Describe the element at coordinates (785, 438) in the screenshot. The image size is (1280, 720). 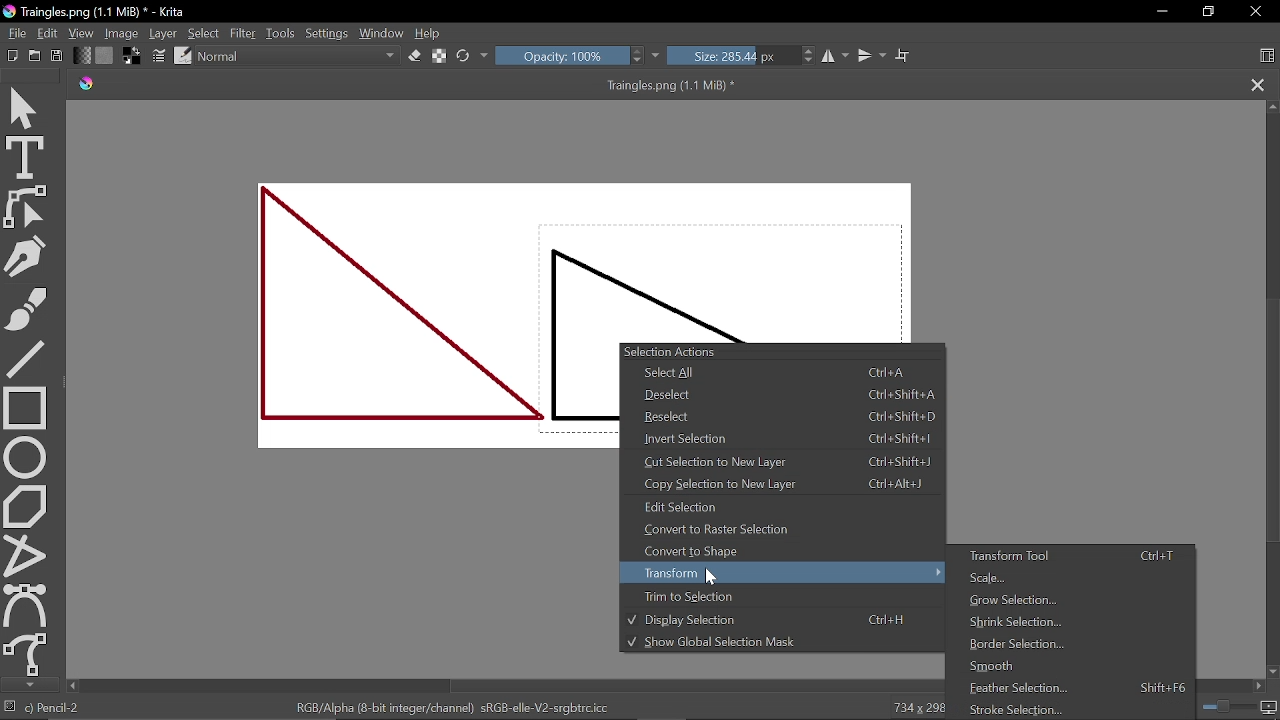
I see `Invert selection` at that location.